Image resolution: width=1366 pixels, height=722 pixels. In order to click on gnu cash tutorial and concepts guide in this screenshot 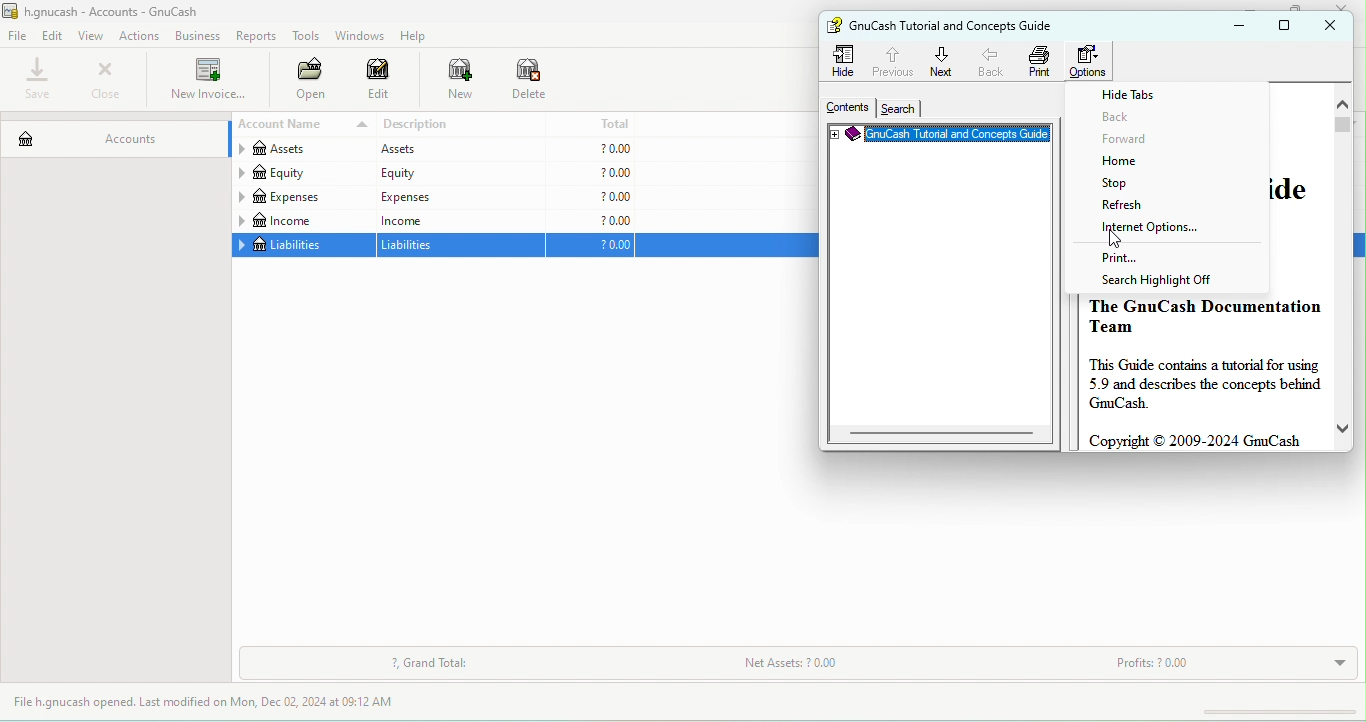, I will do `click(959, 25)`.